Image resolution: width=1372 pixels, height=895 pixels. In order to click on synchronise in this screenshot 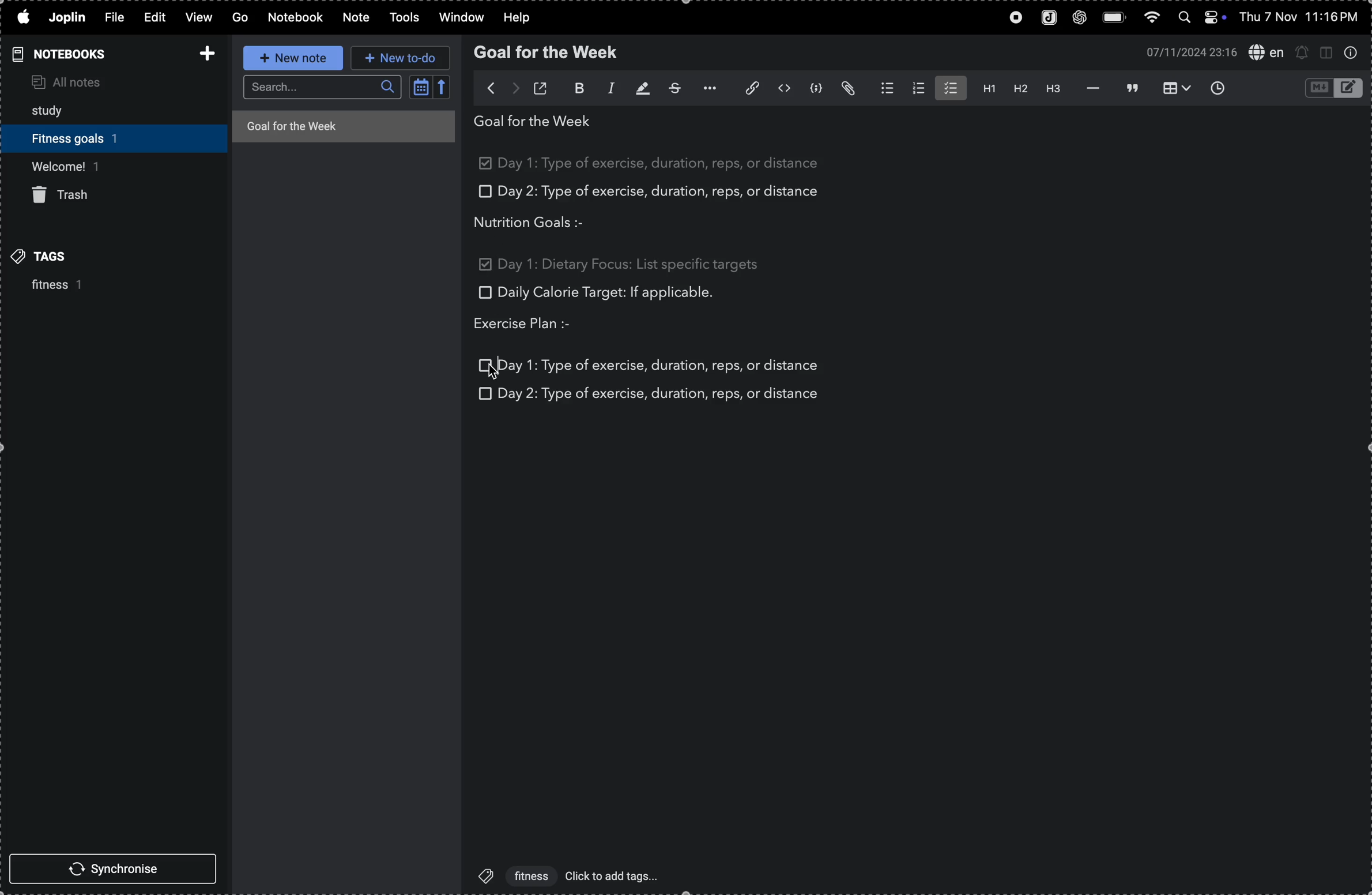, I will do `click(111, 868)`.